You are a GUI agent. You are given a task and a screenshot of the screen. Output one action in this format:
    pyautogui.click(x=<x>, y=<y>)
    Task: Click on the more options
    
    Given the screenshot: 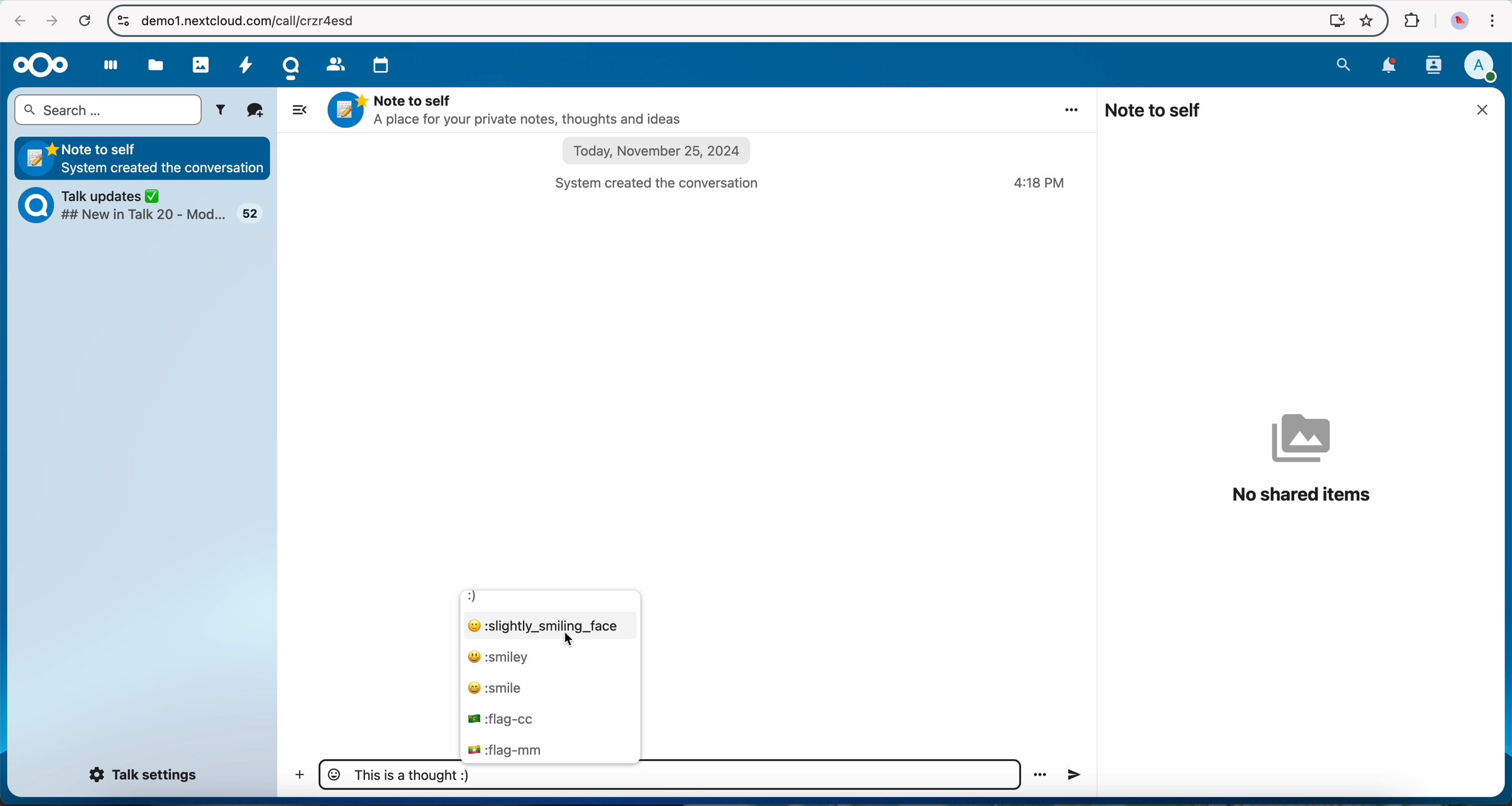 What is the action you would take?
    pyautogui.click(x=1074, y=109)
    